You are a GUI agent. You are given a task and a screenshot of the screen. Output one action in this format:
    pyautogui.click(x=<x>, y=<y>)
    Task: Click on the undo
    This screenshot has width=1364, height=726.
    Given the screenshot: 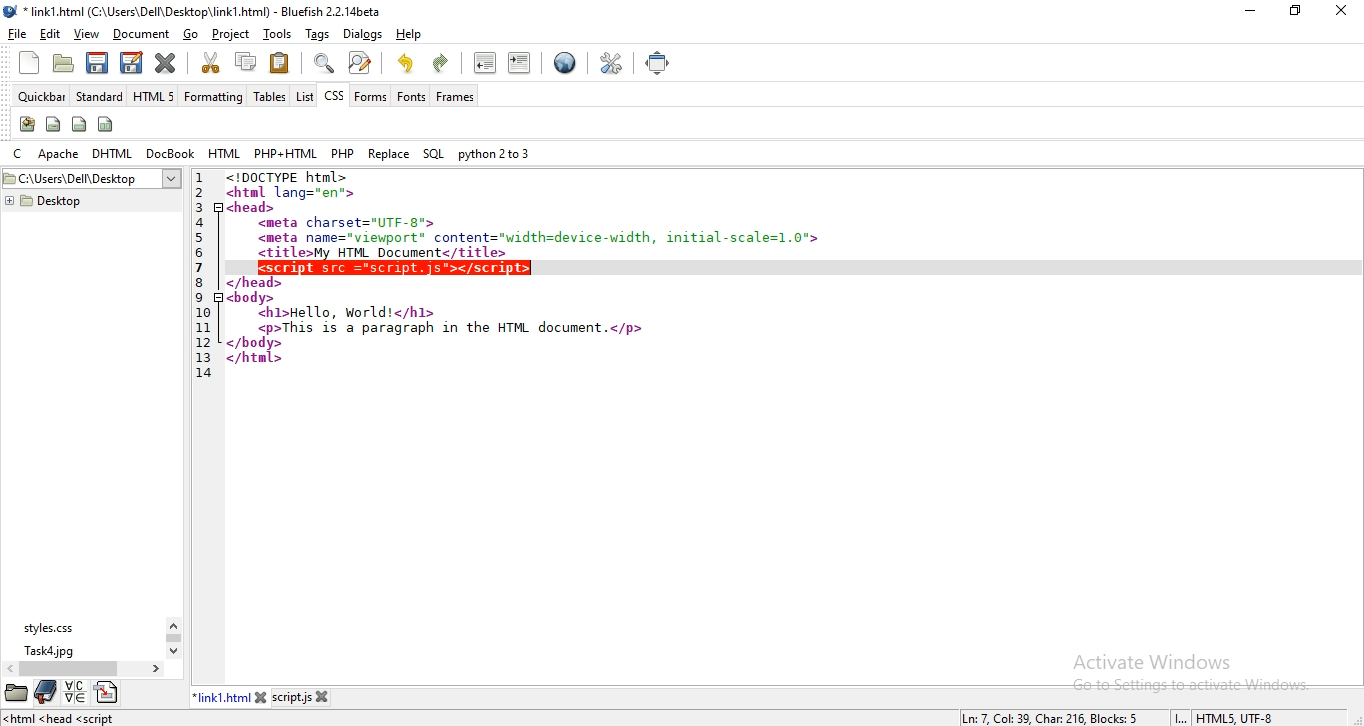 What is the action you would take?
    pyautogui.click(x=407, y=63)
    